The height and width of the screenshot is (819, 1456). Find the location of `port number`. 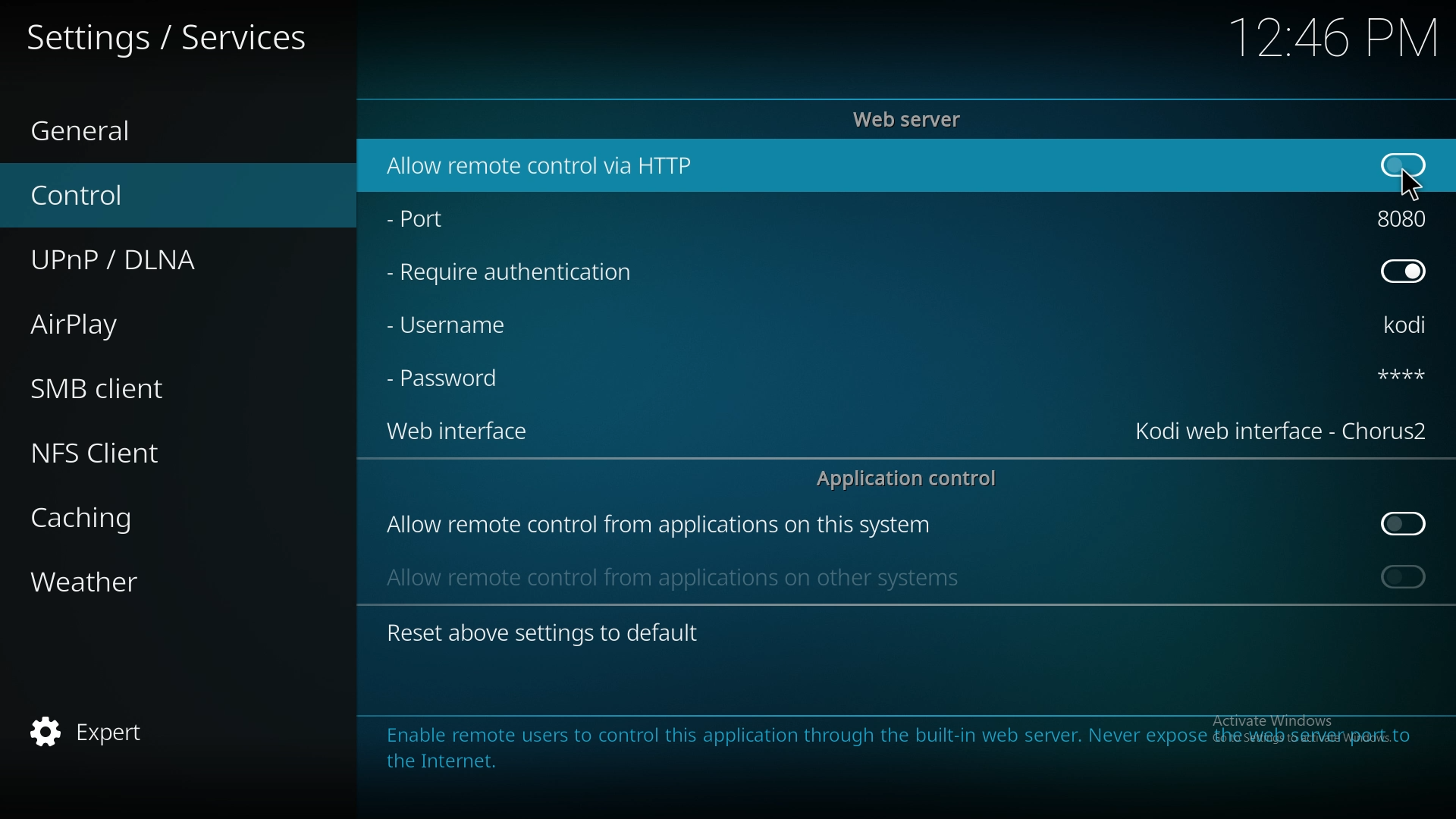

port number is located at coordinates (1406, 215).